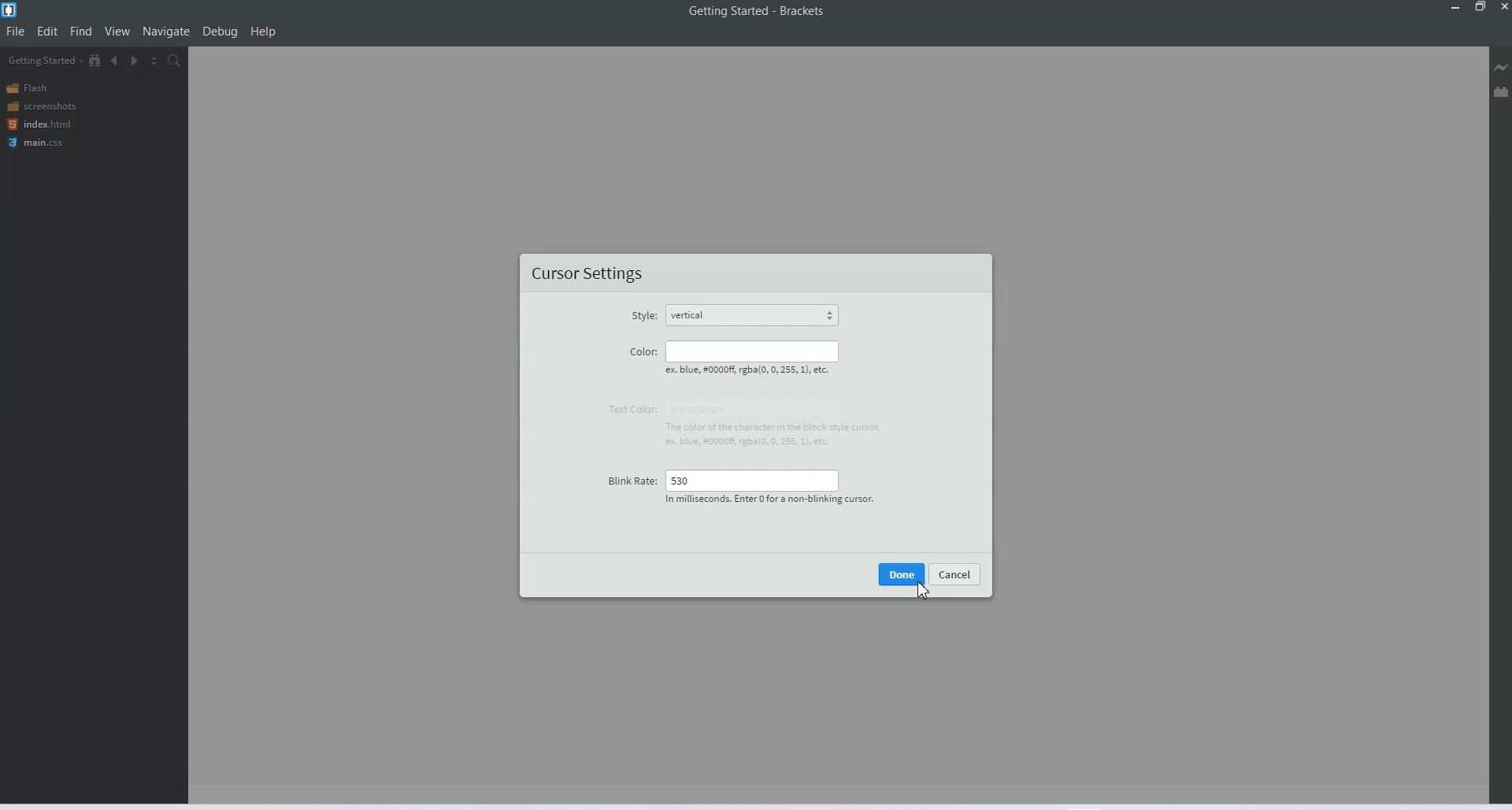  What do you see at coordinates (643, 351) in the screenshot?
I see `Colour` at bounding box center [643, 351].